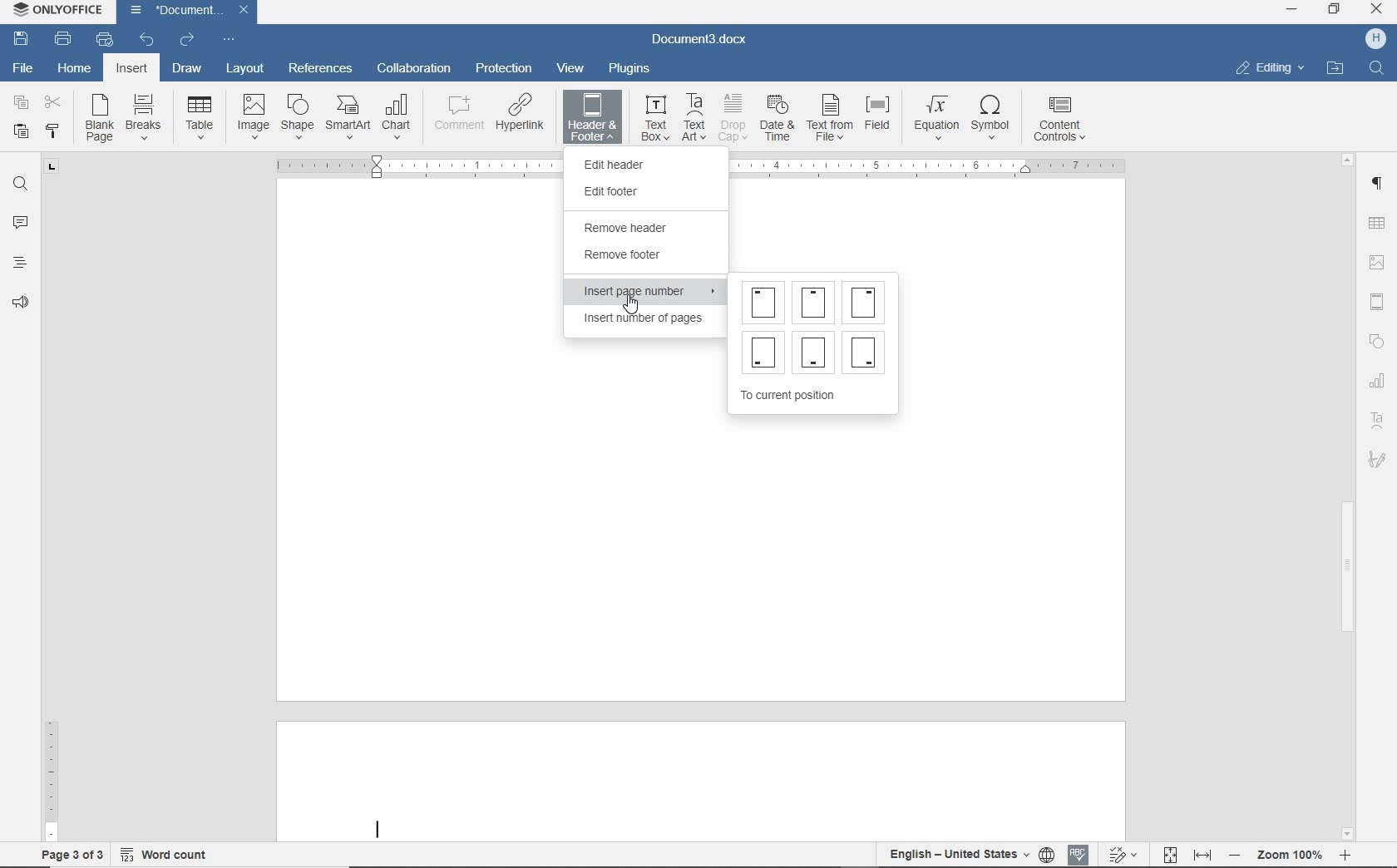  Describe the element at coordinates (241, 70) in the screenshot. I see `LAYOUT` at that location.